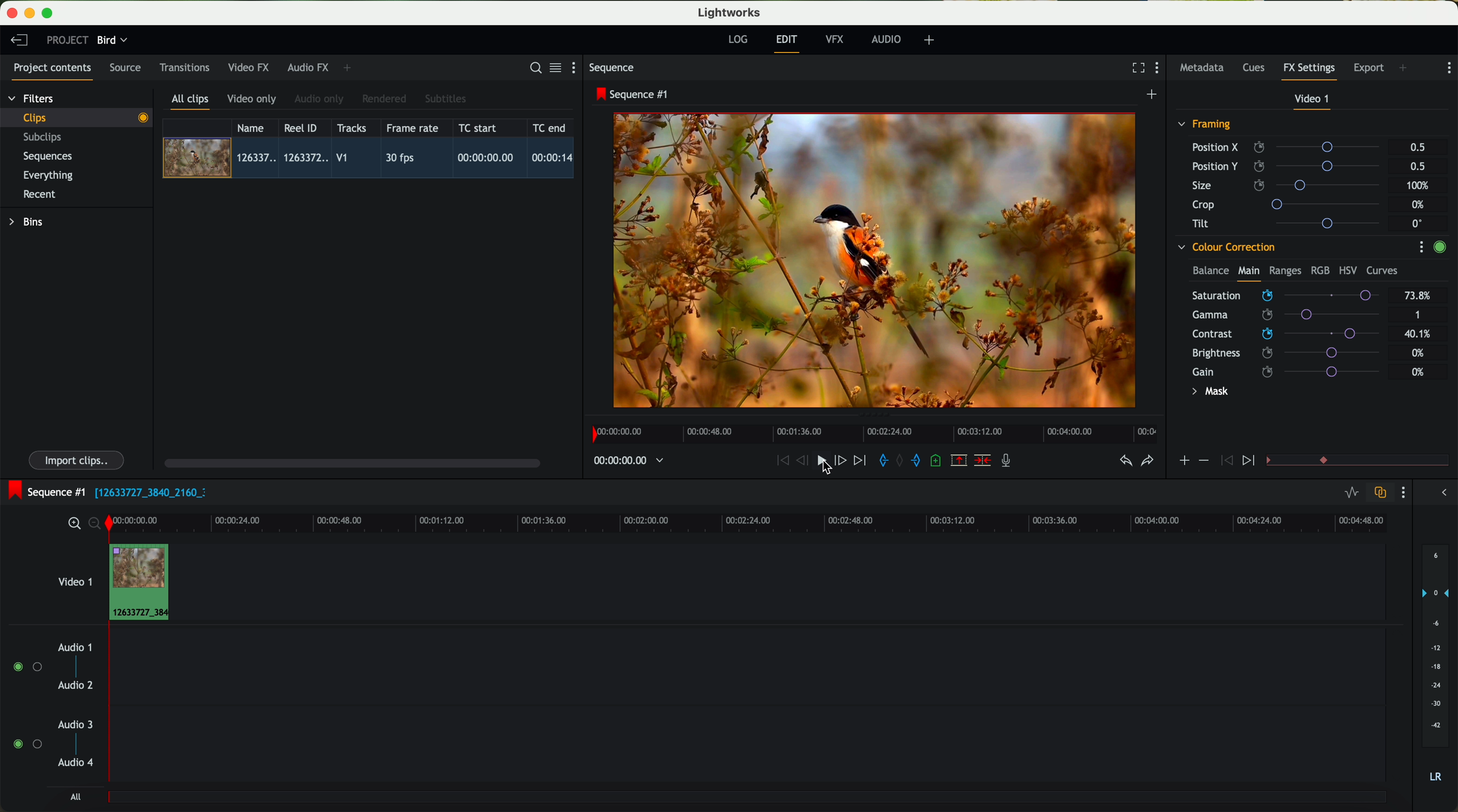 Image resolution: width=1458 pixels, height=812 pixels. Describe the element at coordinates (782, 461) in the screenshot. I see `rewind` at that location.